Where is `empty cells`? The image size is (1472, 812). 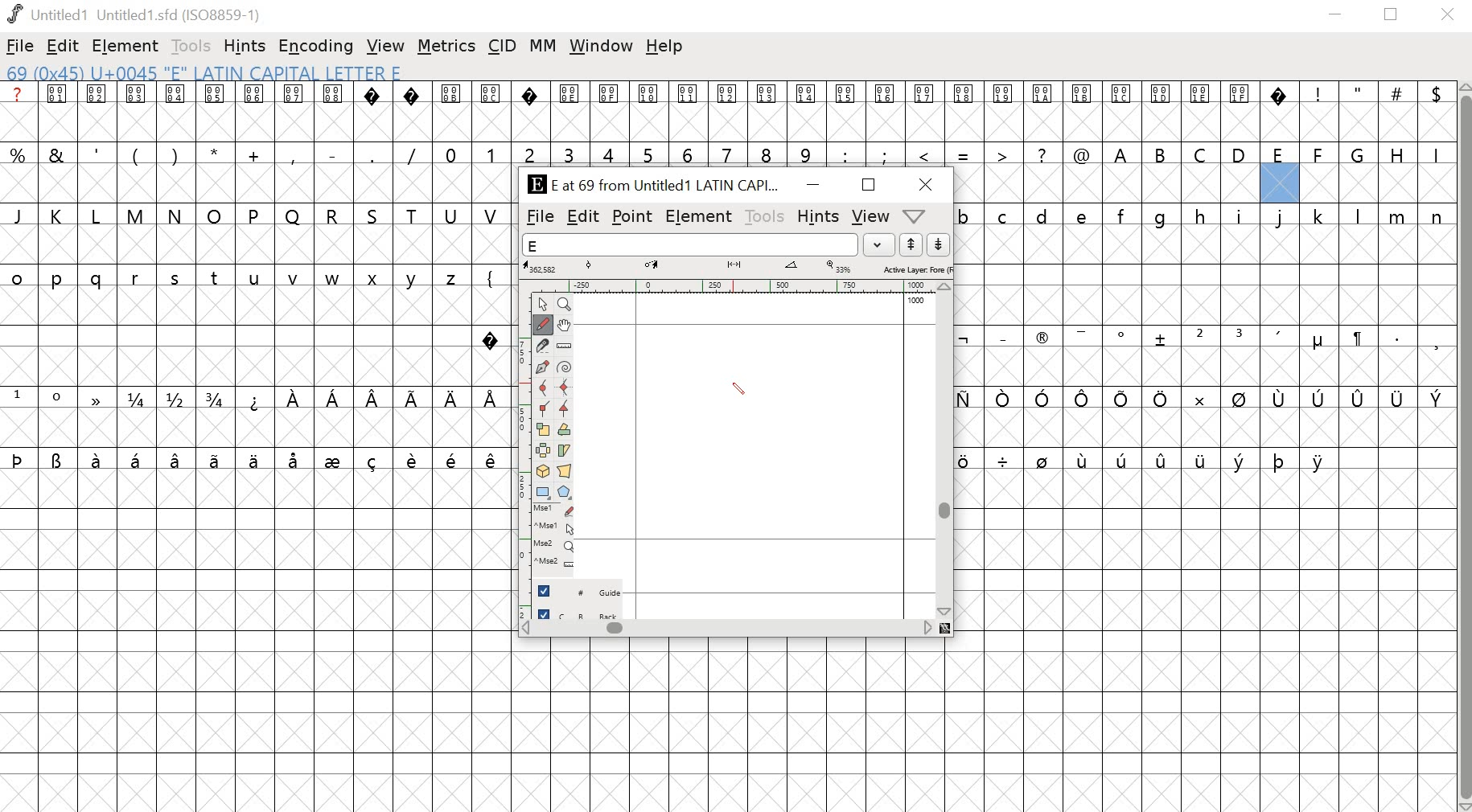
empty cells is located at coordinates (1207, 642).